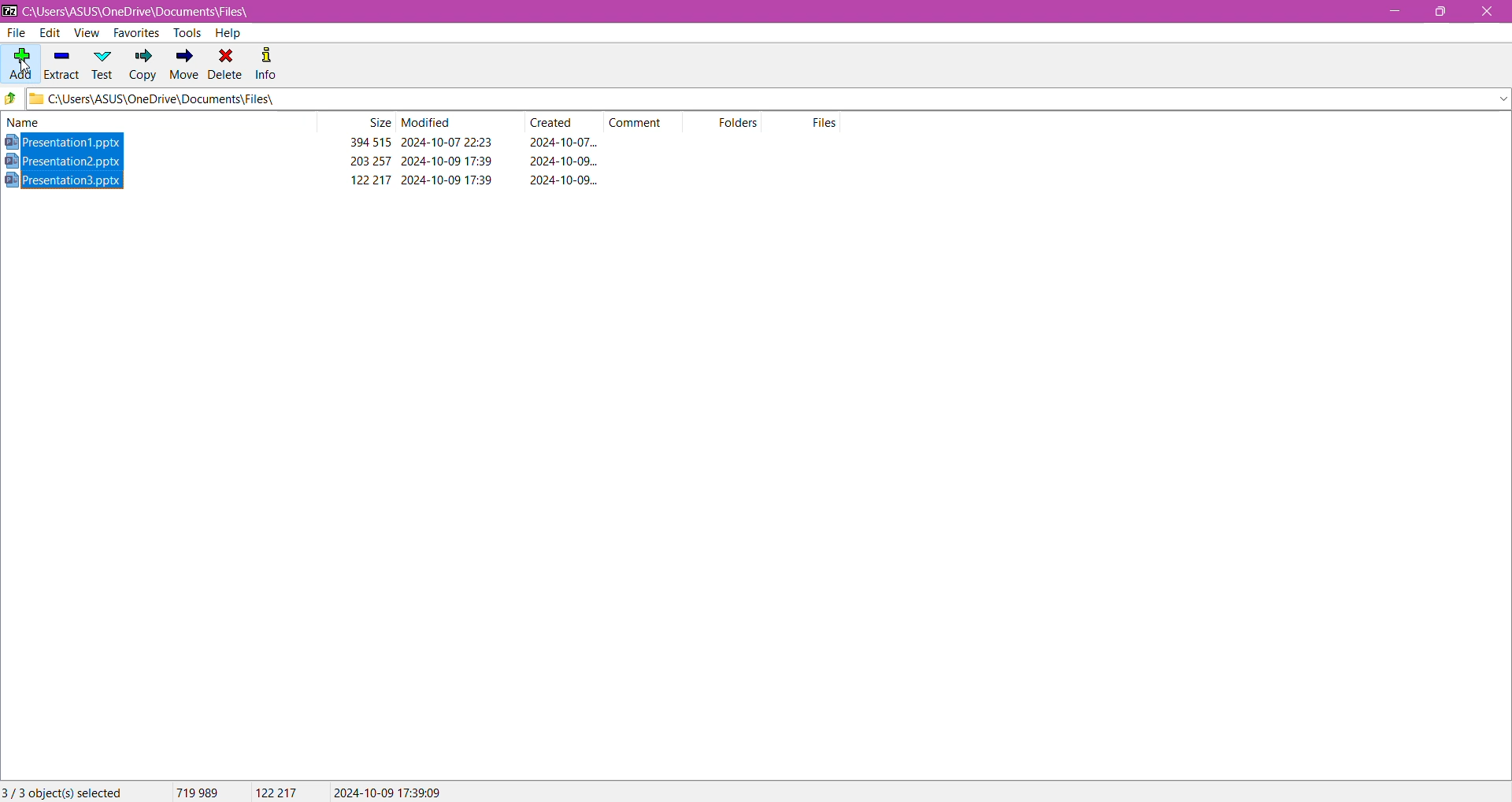 The image size is (1512, 802). What do you see at coordinates (18, 33) in the screenshot?
I see `File` at bounding box center [18, 33].